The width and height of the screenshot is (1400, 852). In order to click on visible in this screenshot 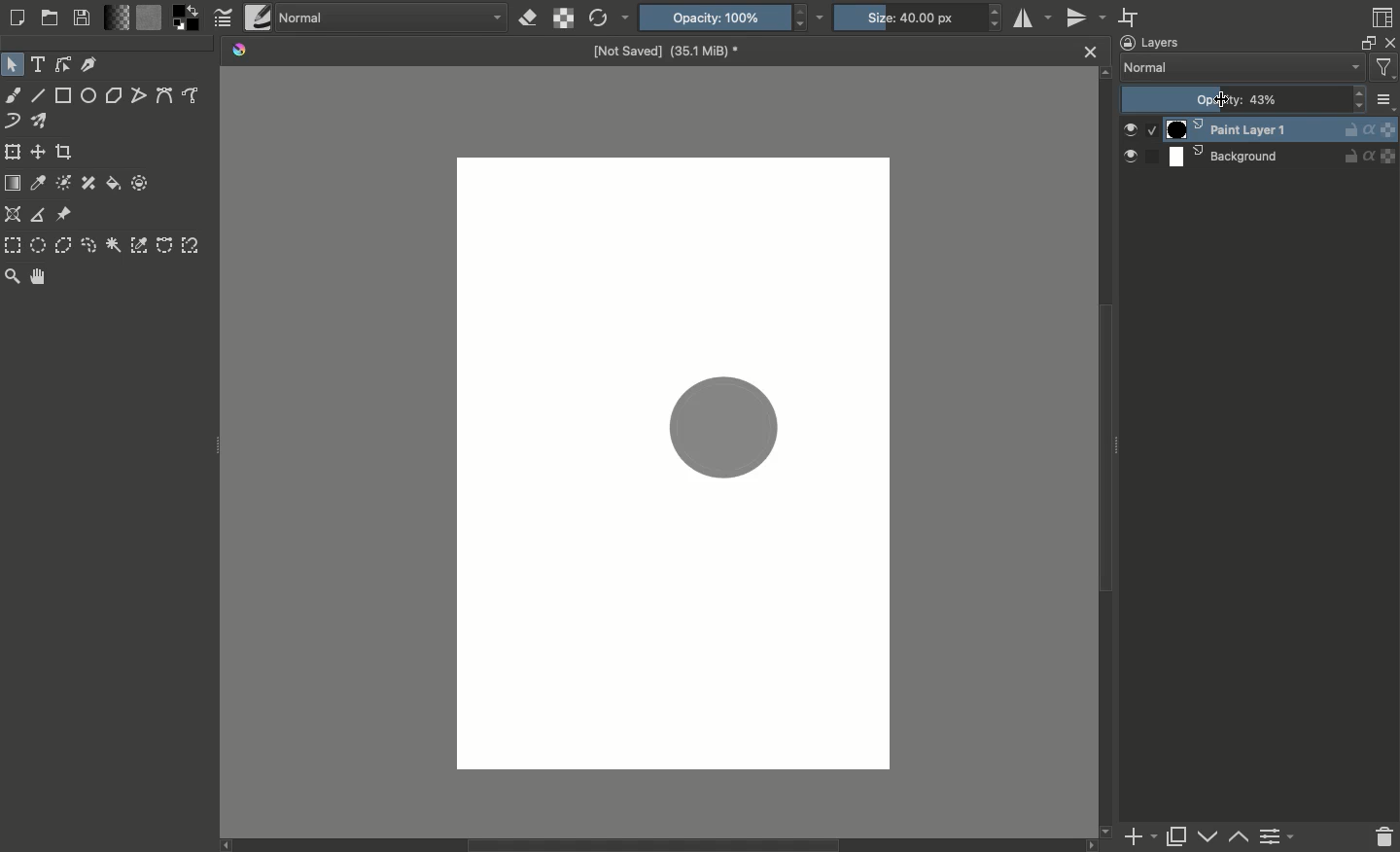, I will do `click(1131, 157)`.